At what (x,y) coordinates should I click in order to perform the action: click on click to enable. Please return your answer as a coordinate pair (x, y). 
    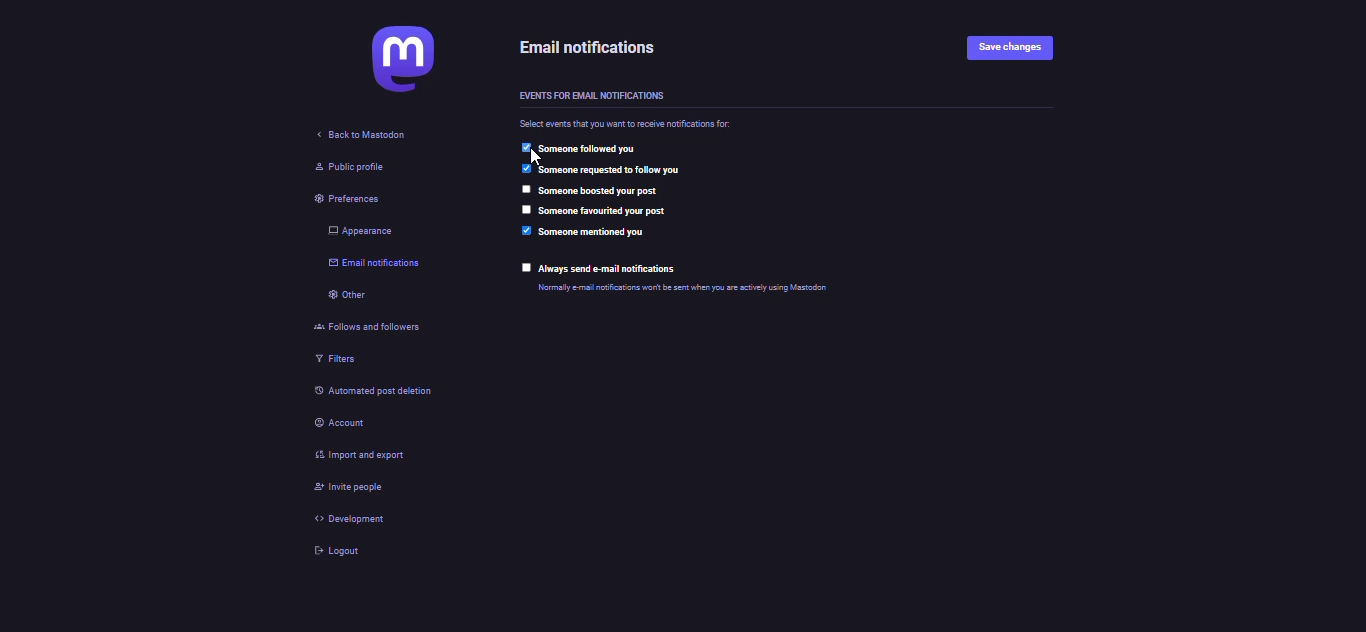
    Looking at the image, I should click on (524, 268).